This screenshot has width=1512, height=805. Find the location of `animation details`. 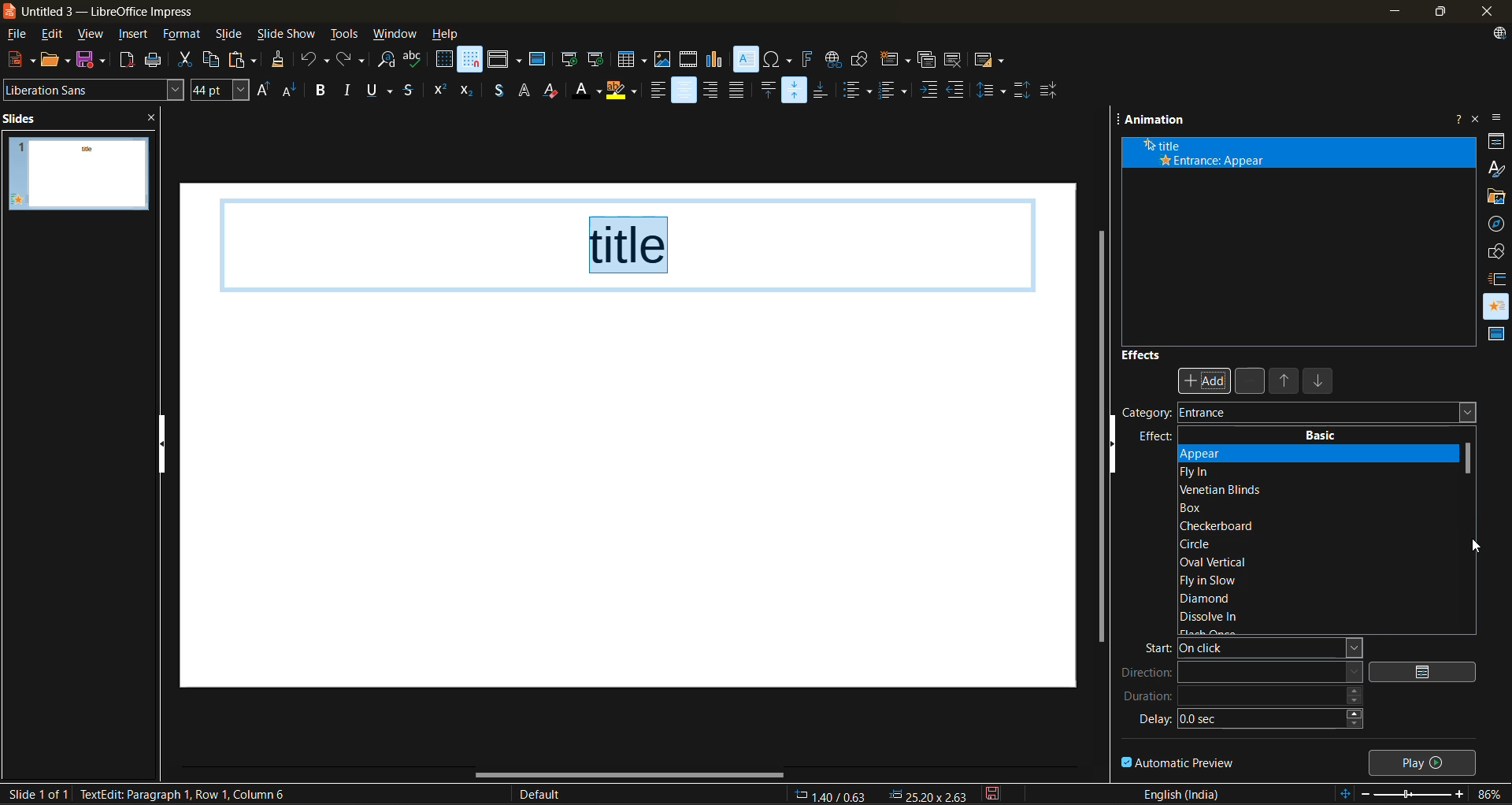

animation details is located at coordinates (1213, 154).